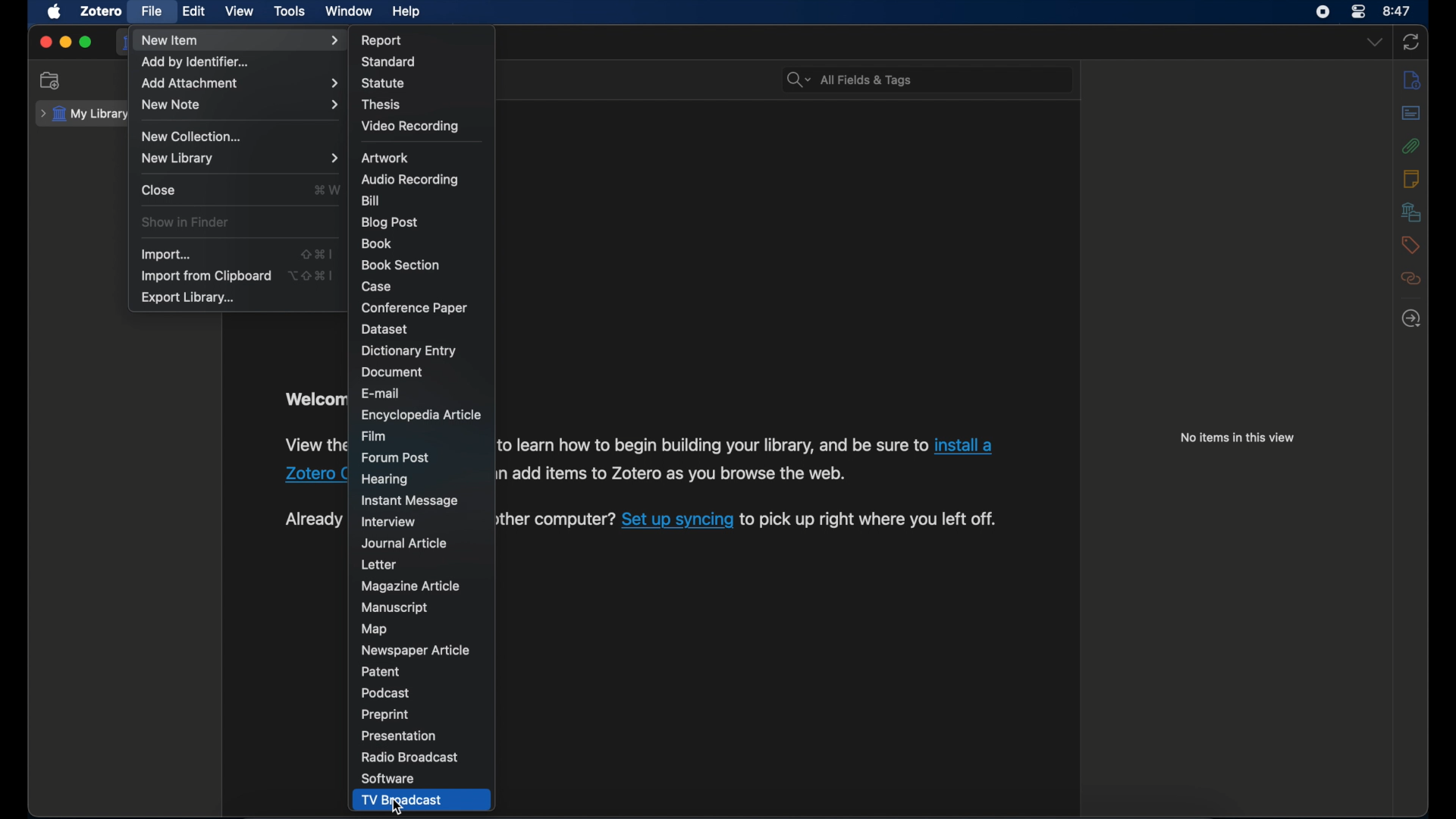 This screenshot has width=1456, height=819. What do you see at coordinates (401, 736) in the screenshot?
I see `presentation` at bounding box center [401, 736].